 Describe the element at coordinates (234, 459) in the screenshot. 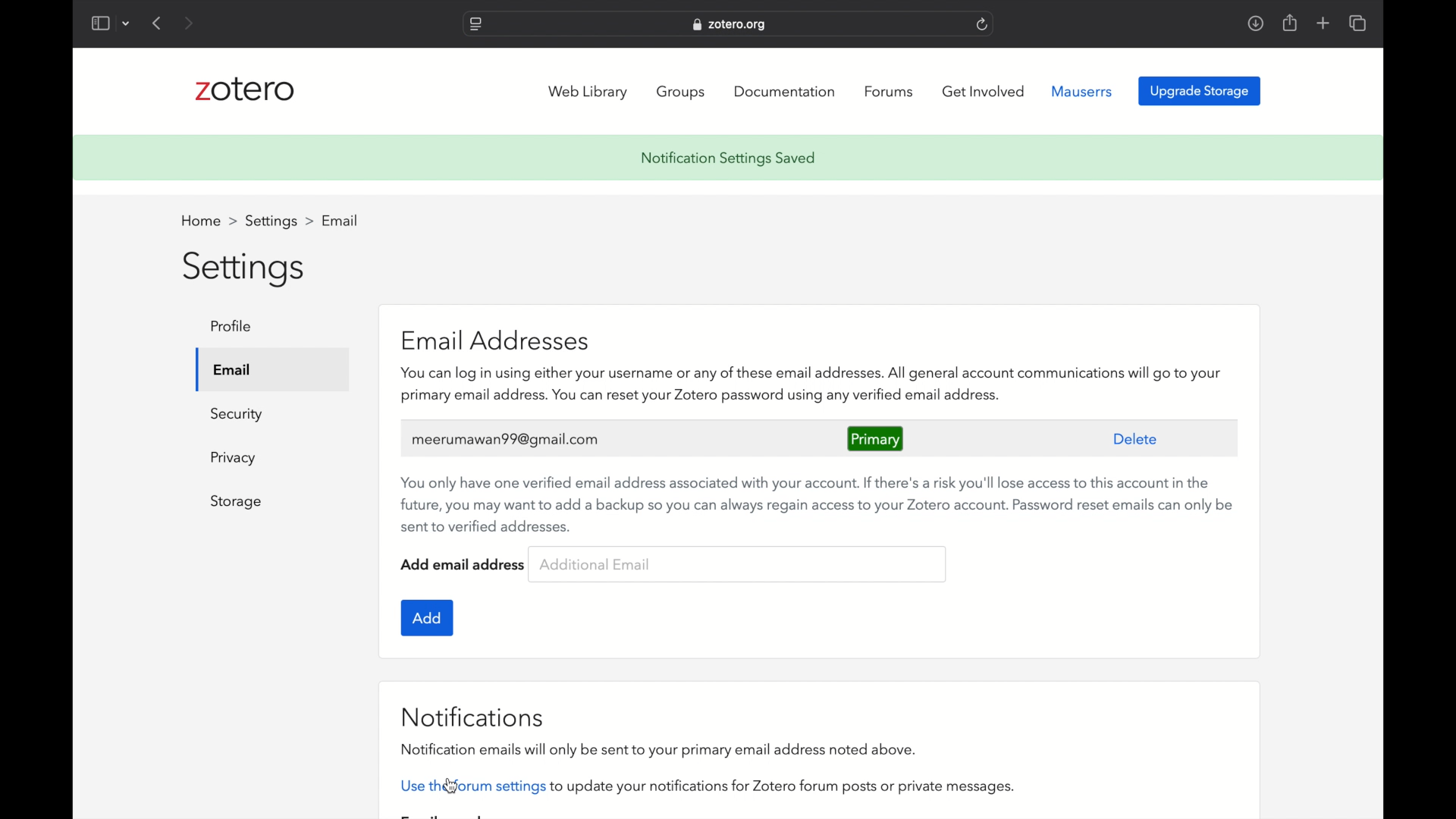

I see `privacy` at that location.